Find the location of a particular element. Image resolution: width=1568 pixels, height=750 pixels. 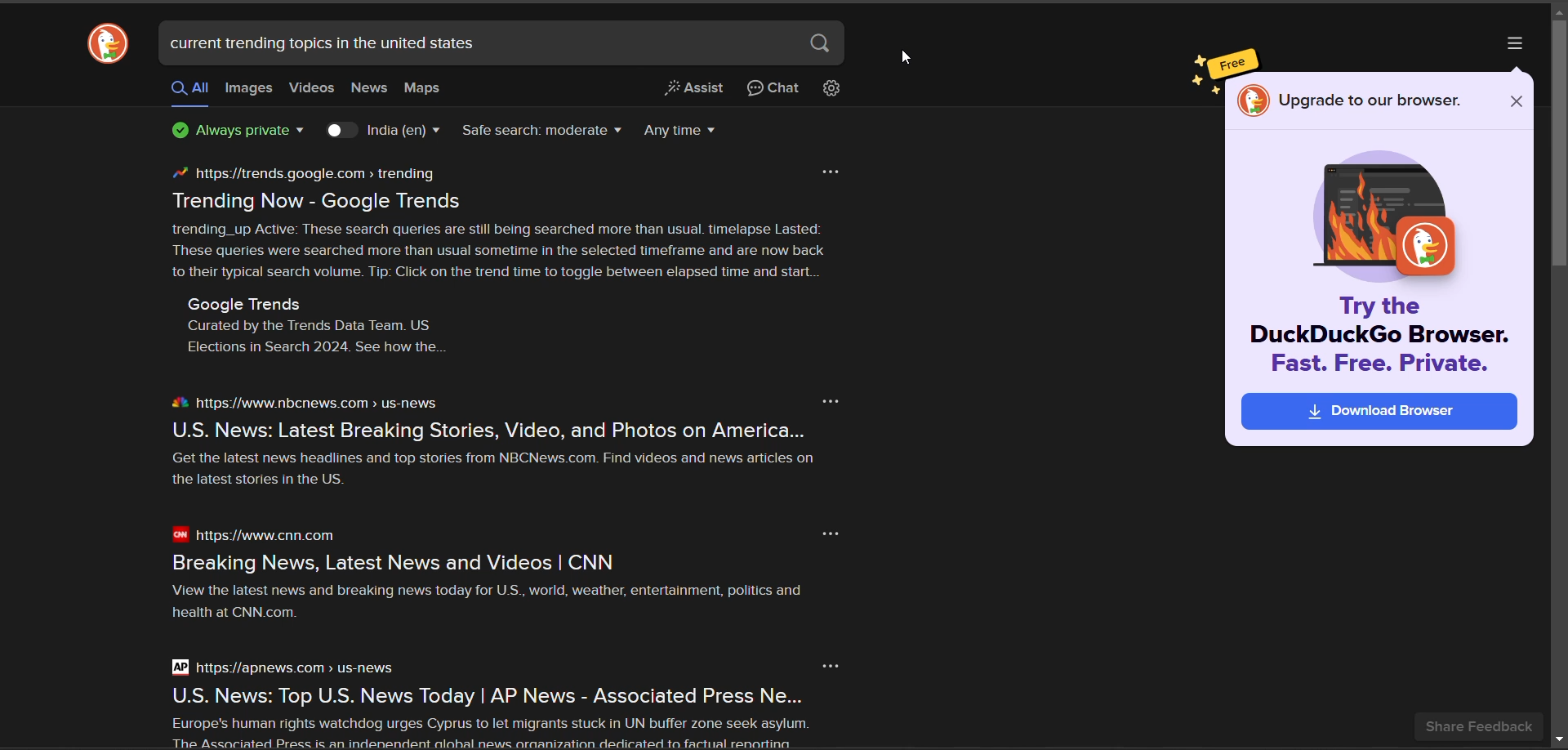

change search settings is located at coordinates (830, 88).